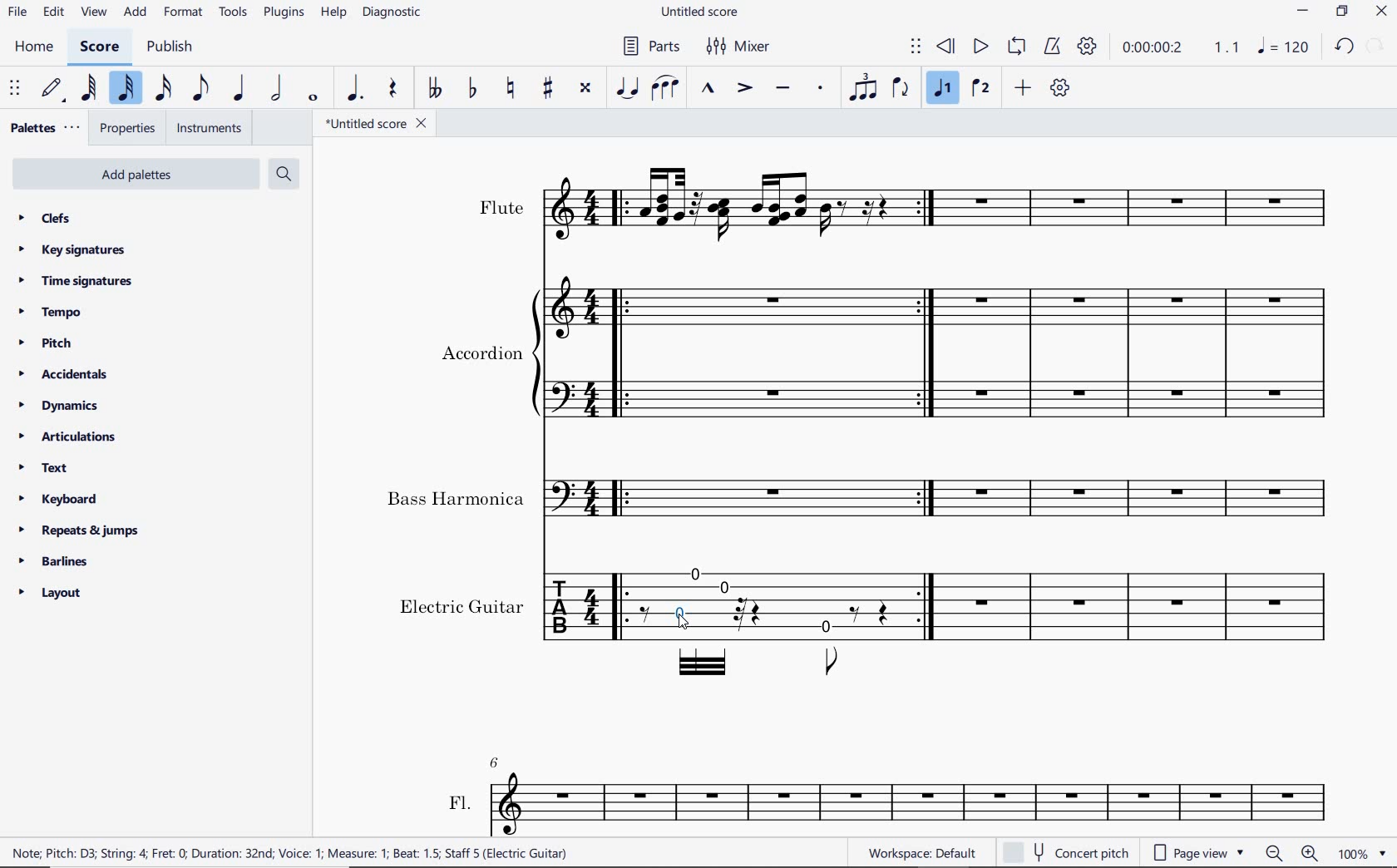  I want to click on staccato, so click(821, 89).